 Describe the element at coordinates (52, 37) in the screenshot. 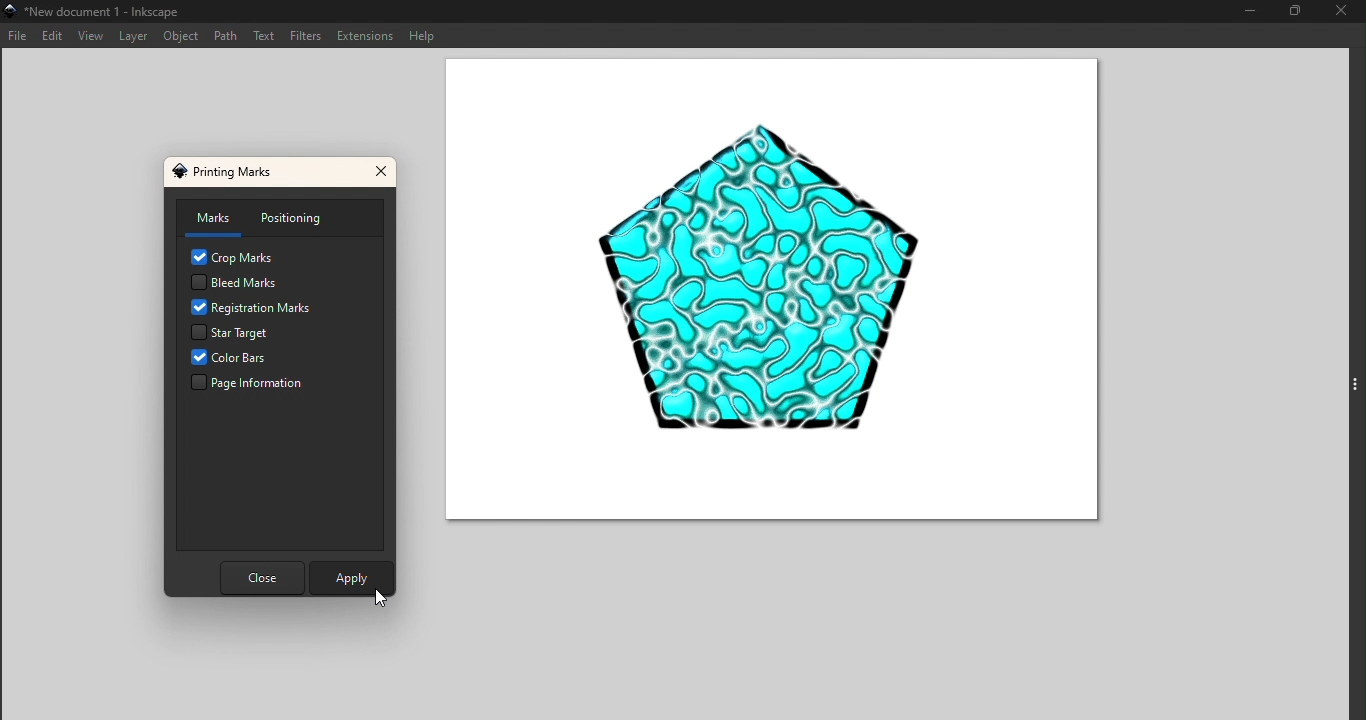

I see `Edit` at that location.